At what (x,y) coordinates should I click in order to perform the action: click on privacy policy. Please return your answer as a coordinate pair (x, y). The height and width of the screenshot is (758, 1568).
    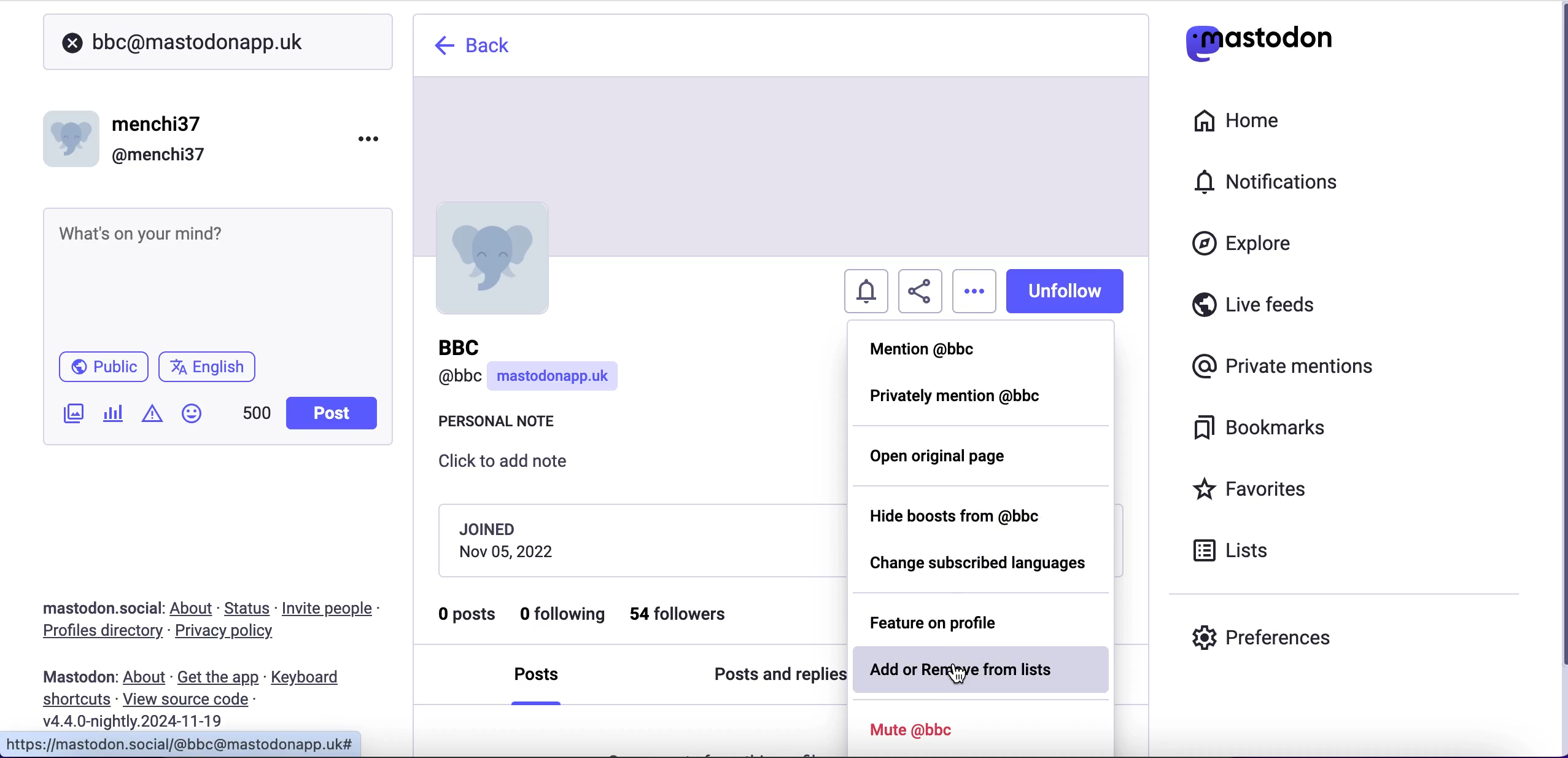
    Looking at the image, I should click on (235, 633).